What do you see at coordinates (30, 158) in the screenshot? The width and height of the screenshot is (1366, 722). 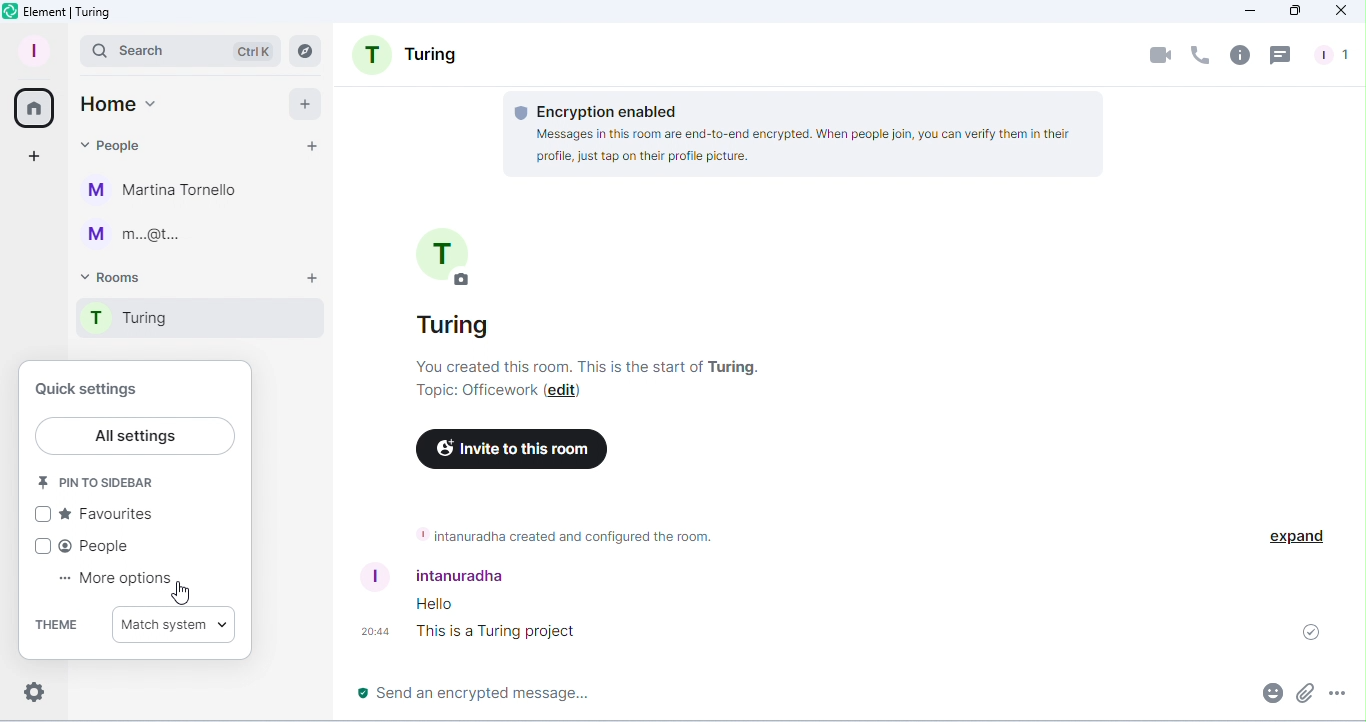 I see `Create a space` at bounding box center [30, 158].